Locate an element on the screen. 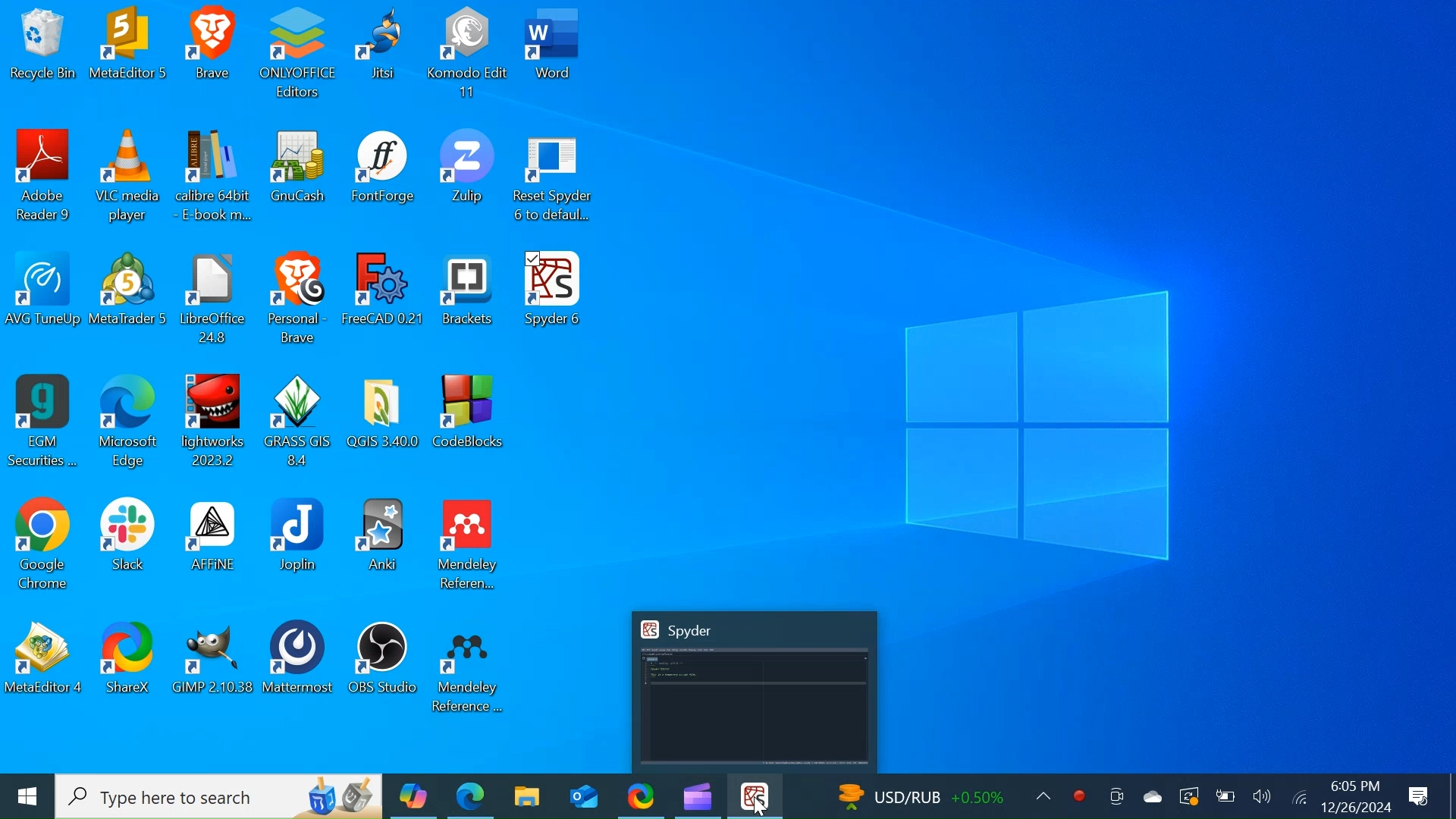 The image size is (1456, 819). GnuCash is located at coordinates (300, 179).